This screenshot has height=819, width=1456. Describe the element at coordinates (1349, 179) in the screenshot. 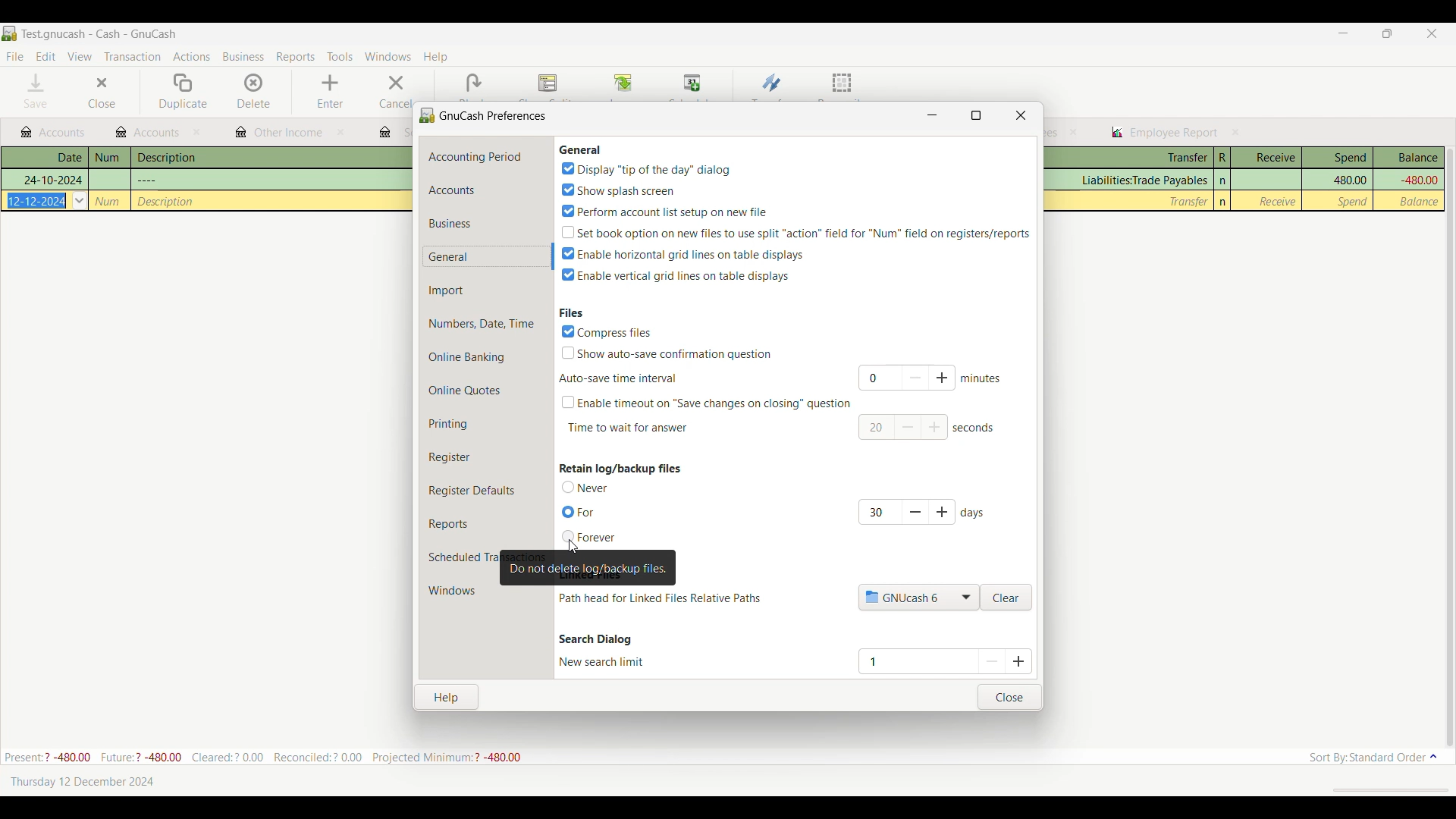

I see `Spend column` at that location.